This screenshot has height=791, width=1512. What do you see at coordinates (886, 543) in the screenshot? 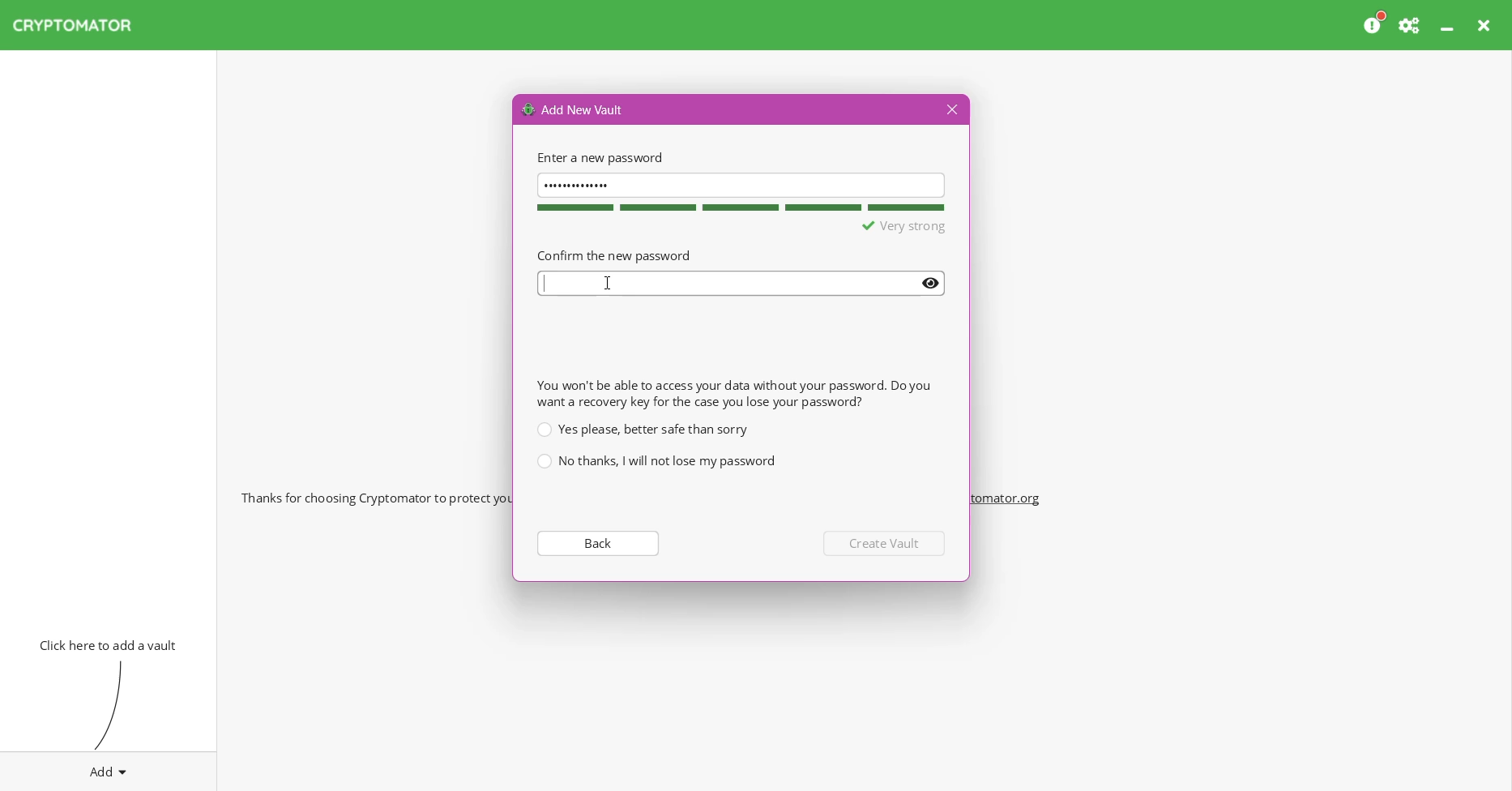
I see `Next` at bounding box center [886, 543].